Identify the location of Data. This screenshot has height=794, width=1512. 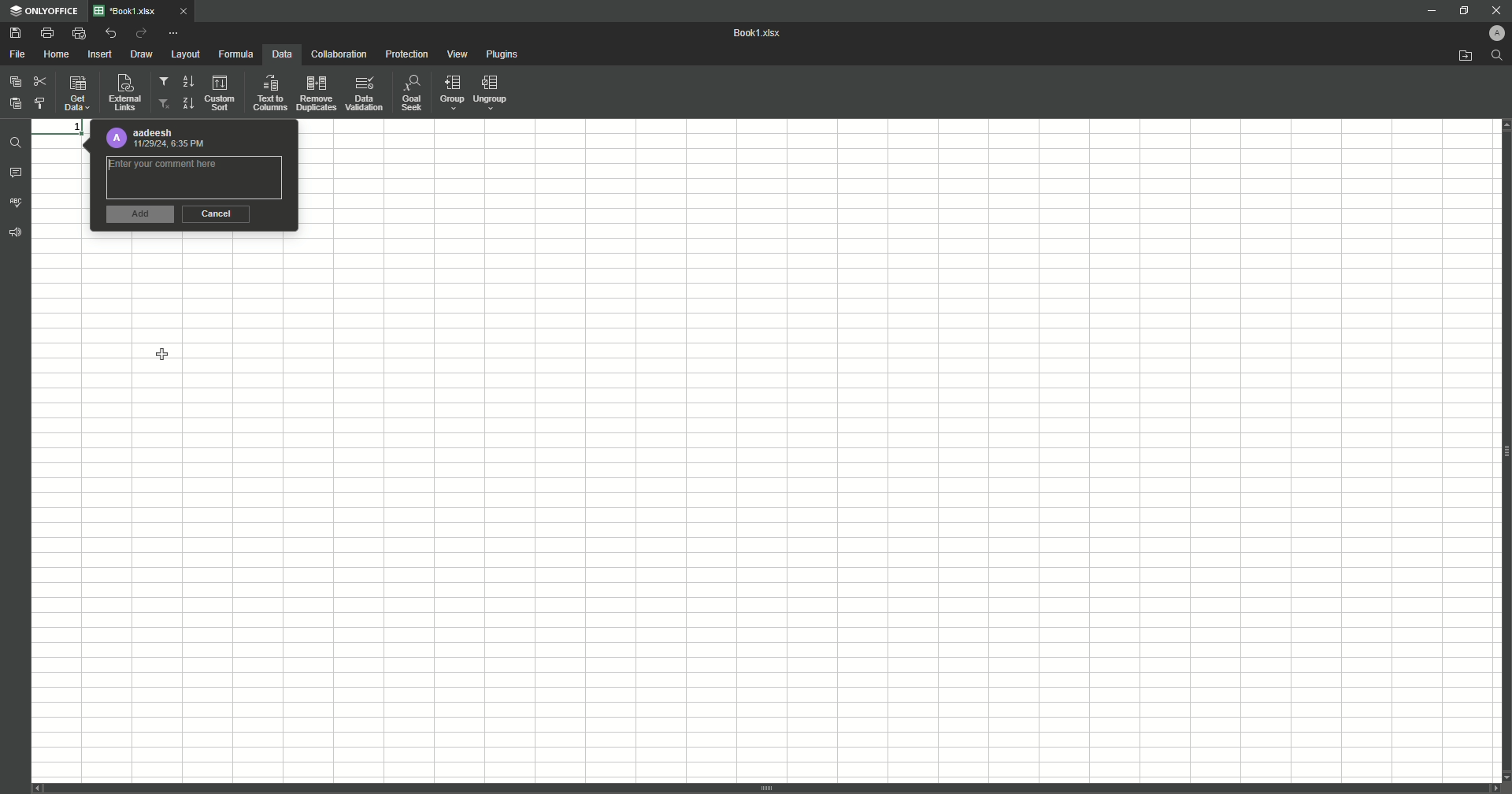
(280, 54).